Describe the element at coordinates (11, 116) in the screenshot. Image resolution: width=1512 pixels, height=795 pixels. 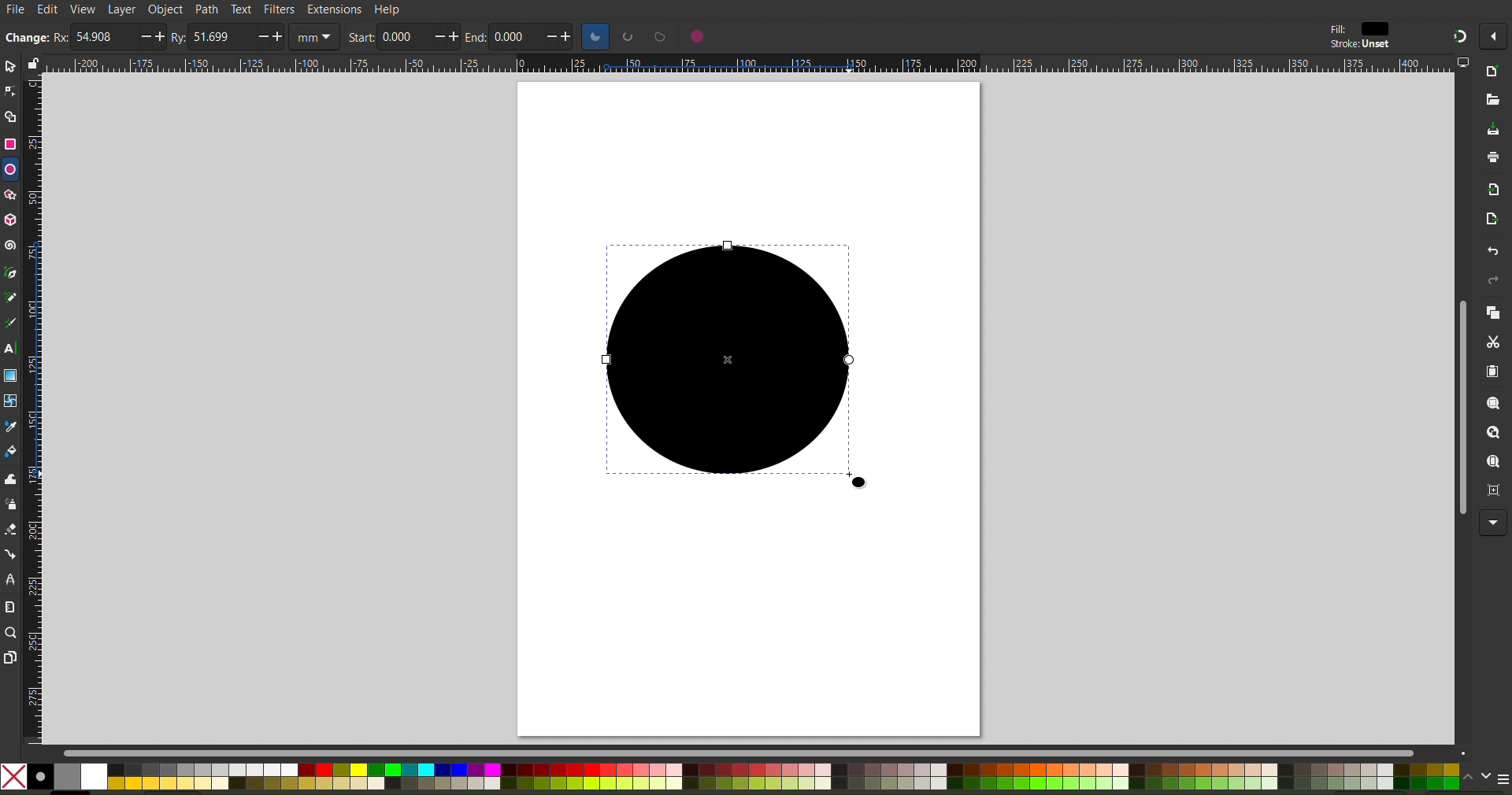
I see `Shape Builder Tool` at that location.